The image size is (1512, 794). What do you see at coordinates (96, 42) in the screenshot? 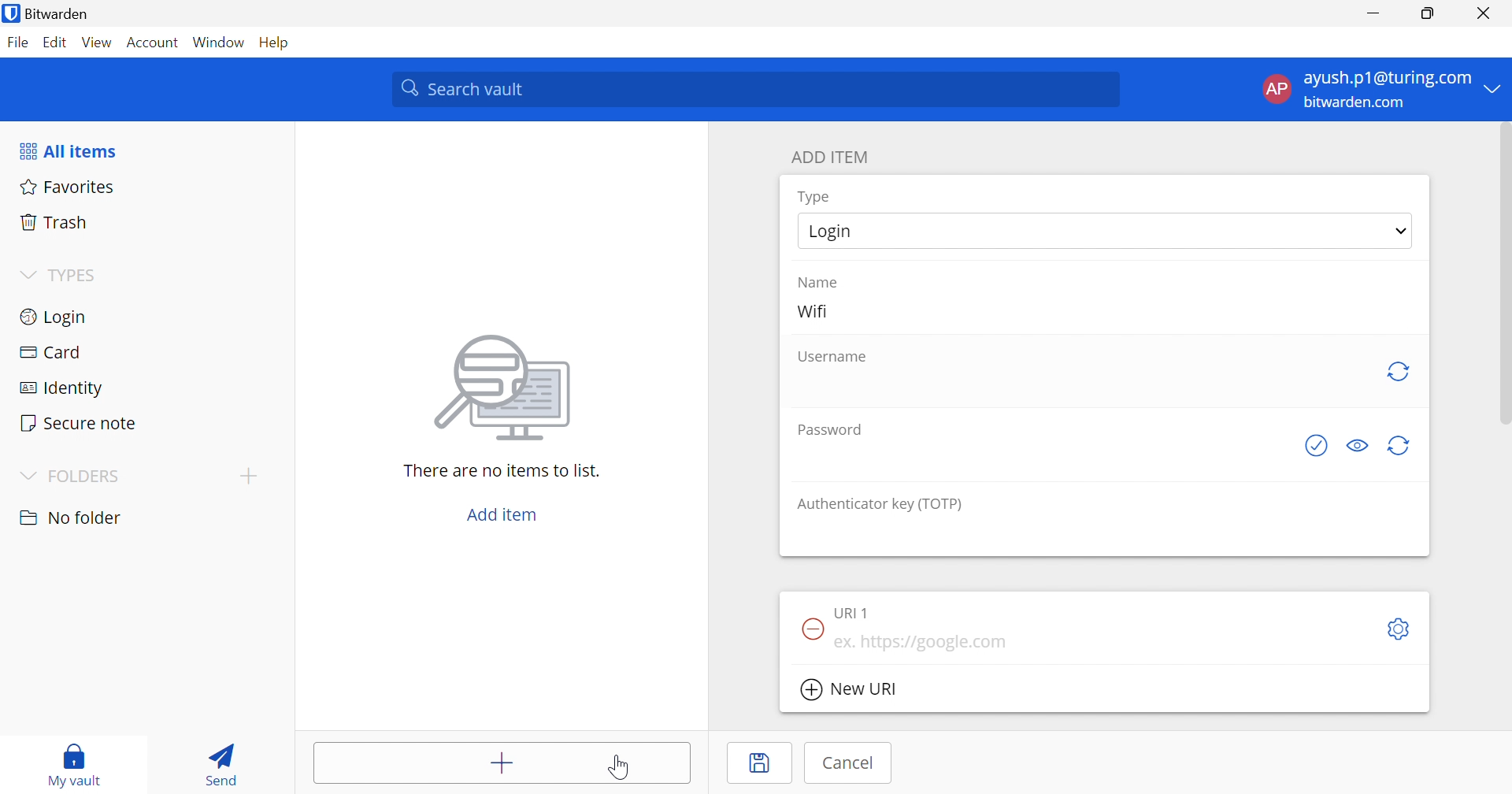
I see `View` at bounding box center [96, 42].